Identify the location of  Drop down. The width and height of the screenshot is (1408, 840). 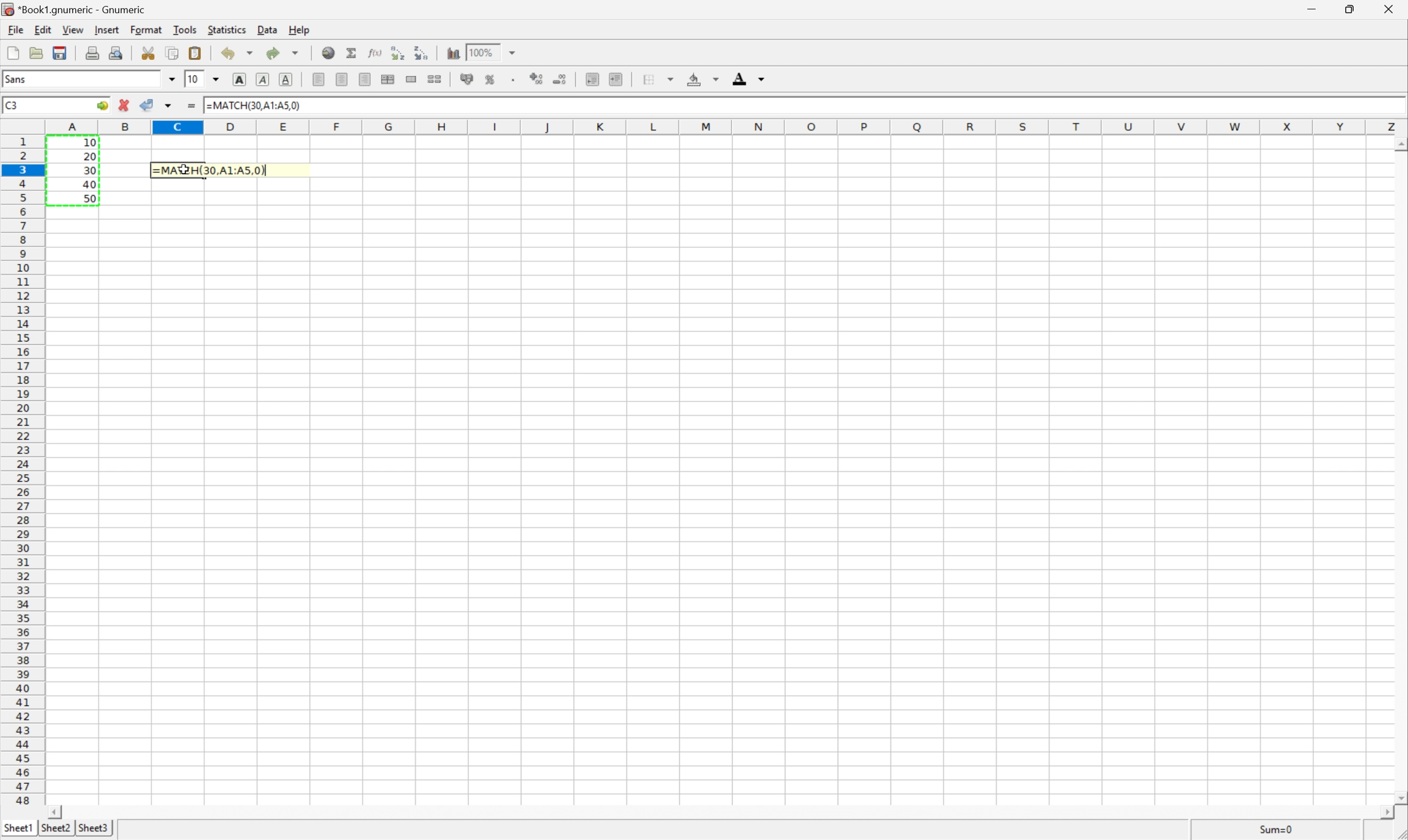
(171, 77).